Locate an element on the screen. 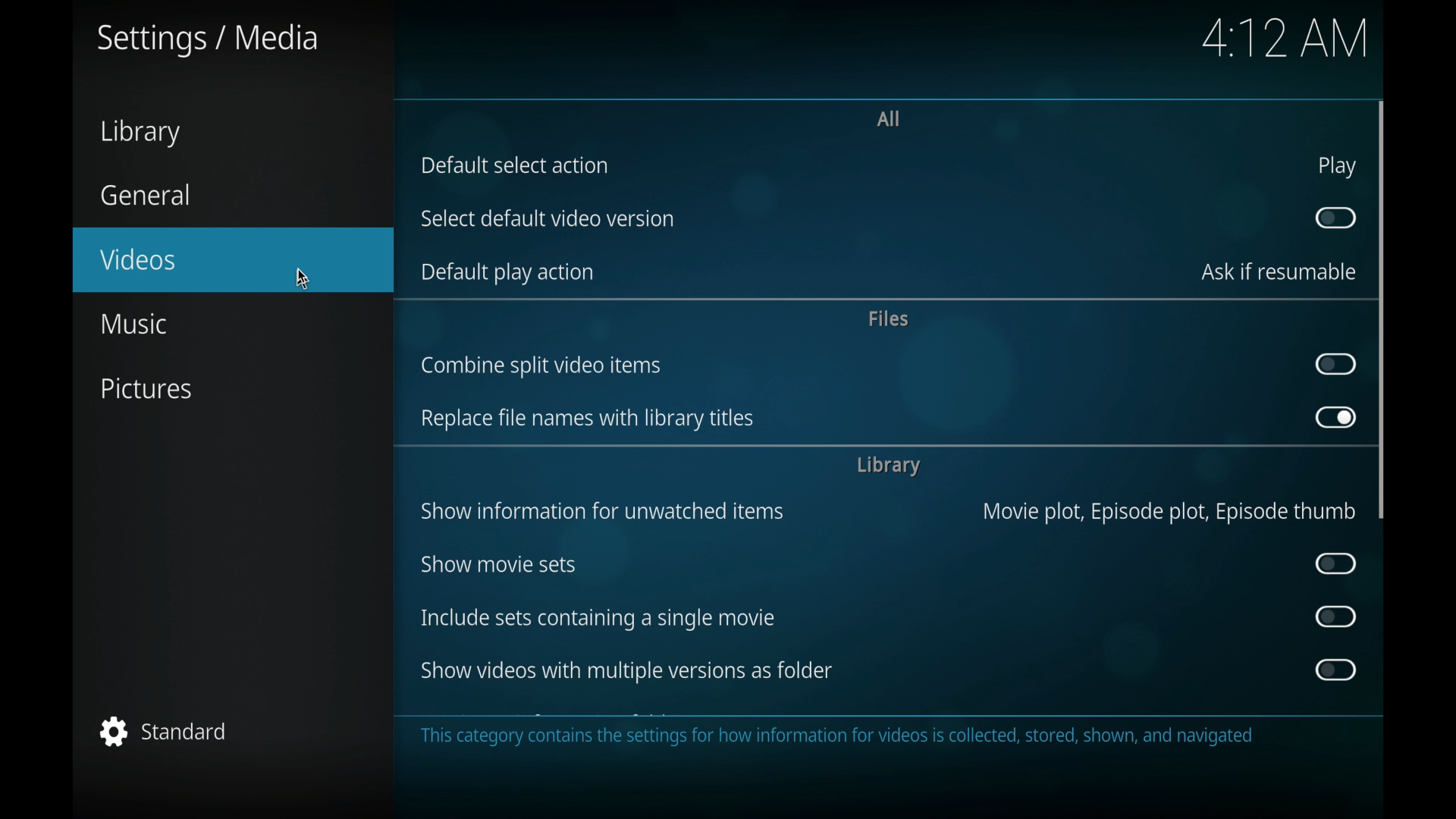 Image resolution: width=1456 pixels, height=819 pixels. This category contains the settings for how information for videos is collected, stored, shown, and navigated is located at coordinates (867, 740).